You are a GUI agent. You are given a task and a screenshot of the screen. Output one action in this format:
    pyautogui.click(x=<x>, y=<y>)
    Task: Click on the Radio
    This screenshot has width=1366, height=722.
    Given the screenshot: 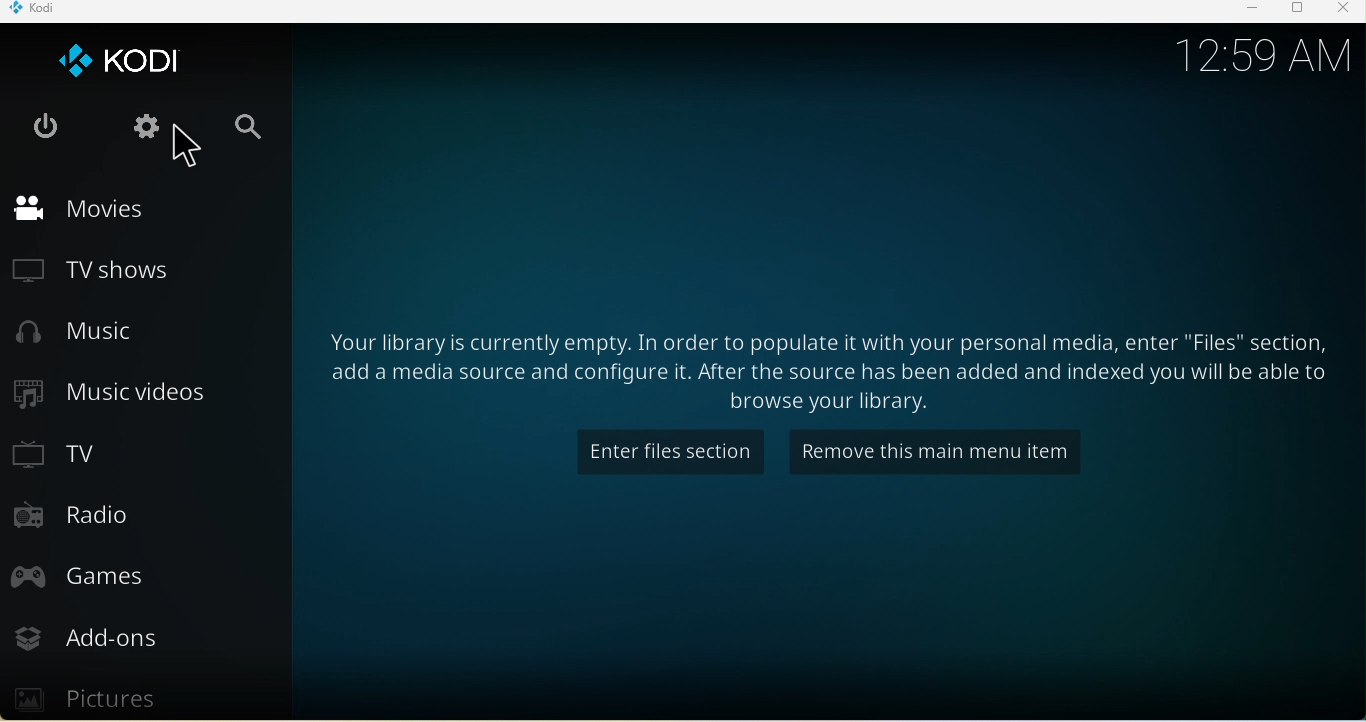 What is the action you would take?
    pyautogui.click(x=98, y=518)
    